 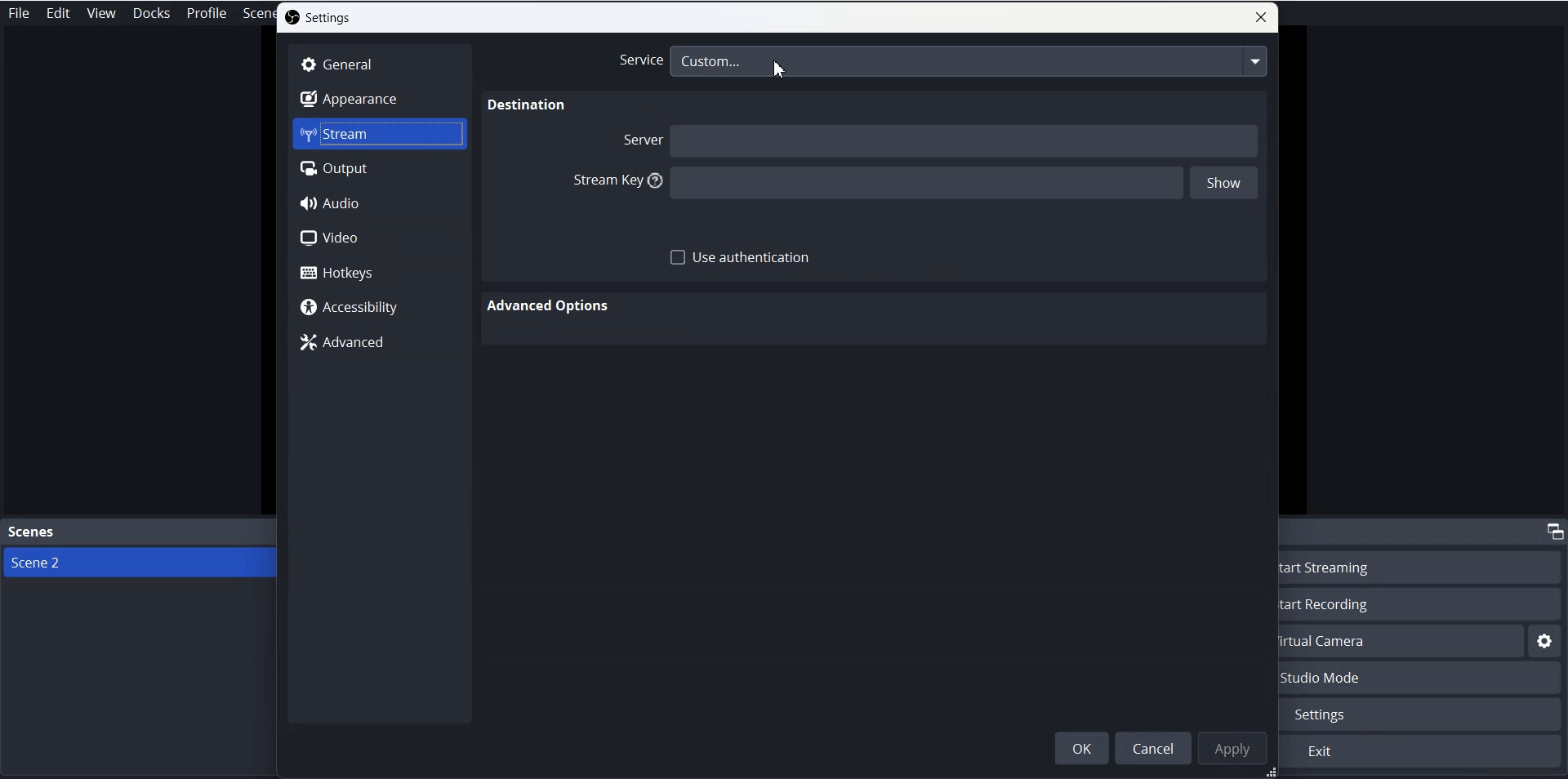 What do you see at coordinates (782, 70) in the screenshot?
I see `cursor on service` at bounding box center [782, 70].